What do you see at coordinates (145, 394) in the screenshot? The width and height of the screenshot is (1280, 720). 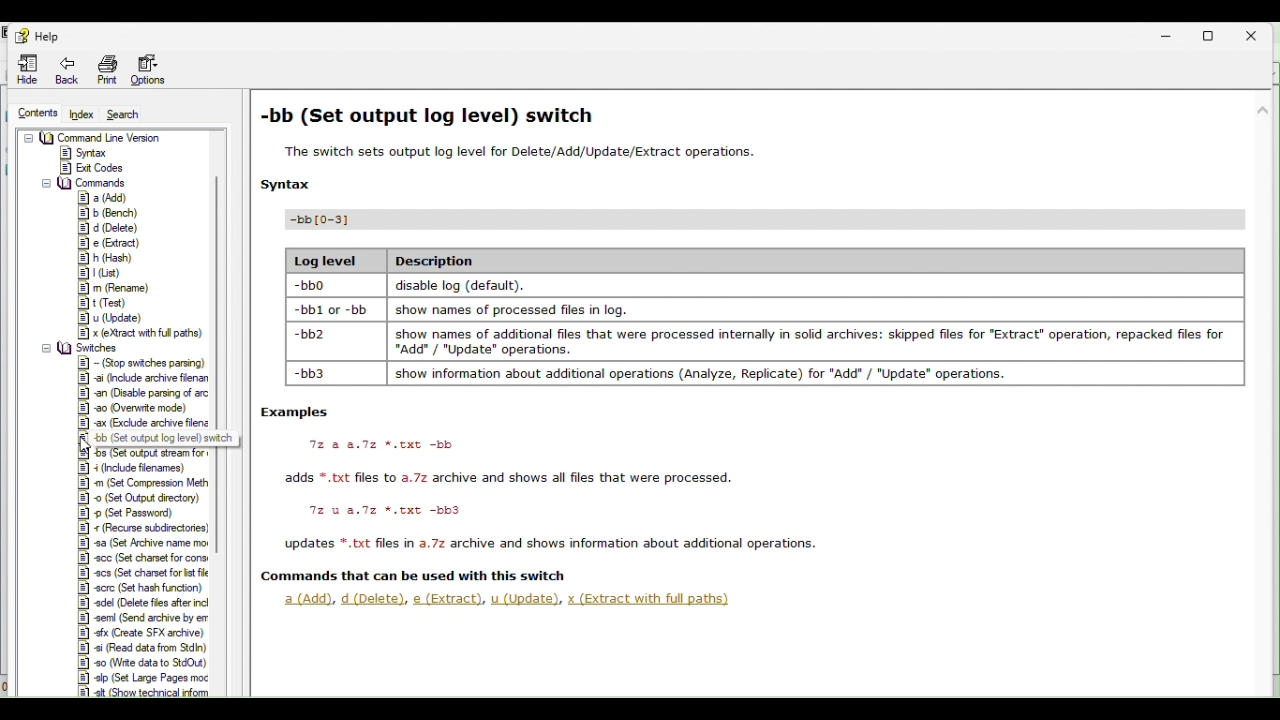 I see `#] an (Disable parsing of arc` at bounding box center [145, 394].